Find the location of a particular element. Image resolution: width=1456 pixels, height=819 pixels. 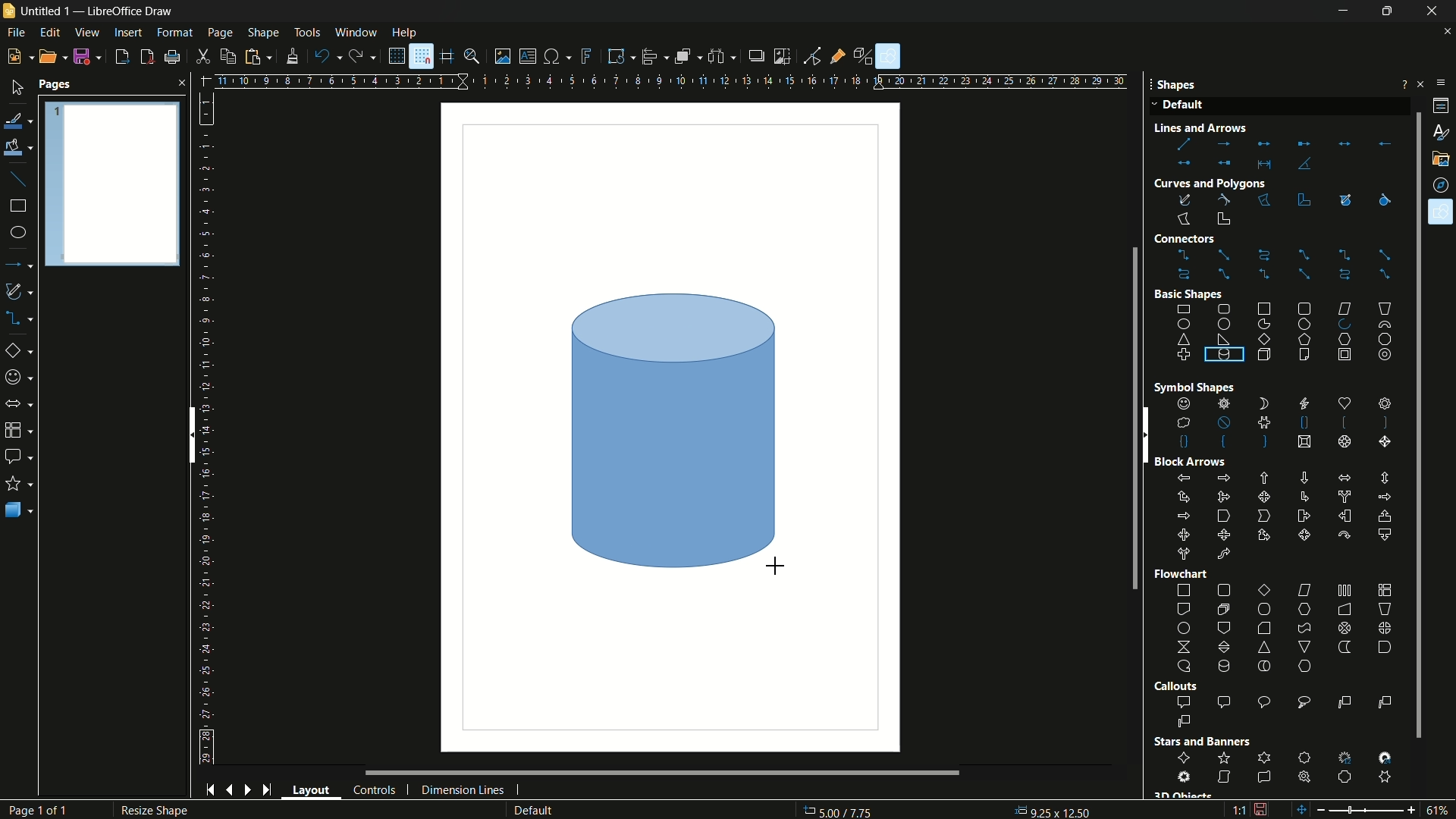

view menu is located at coordinates (88, 32).